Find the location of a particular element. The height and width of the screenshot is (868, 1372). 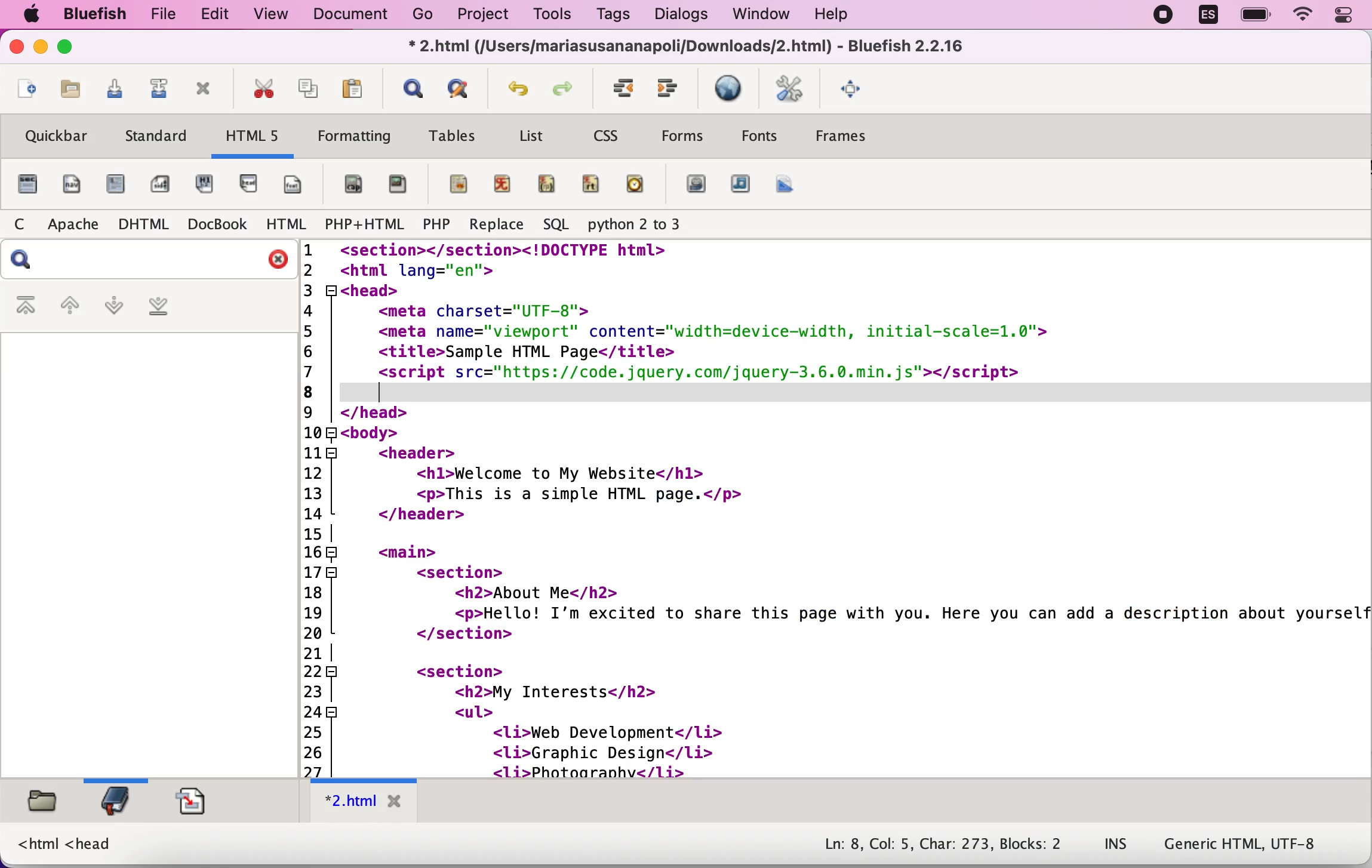

hgroup is located at coordinates (212, 183).